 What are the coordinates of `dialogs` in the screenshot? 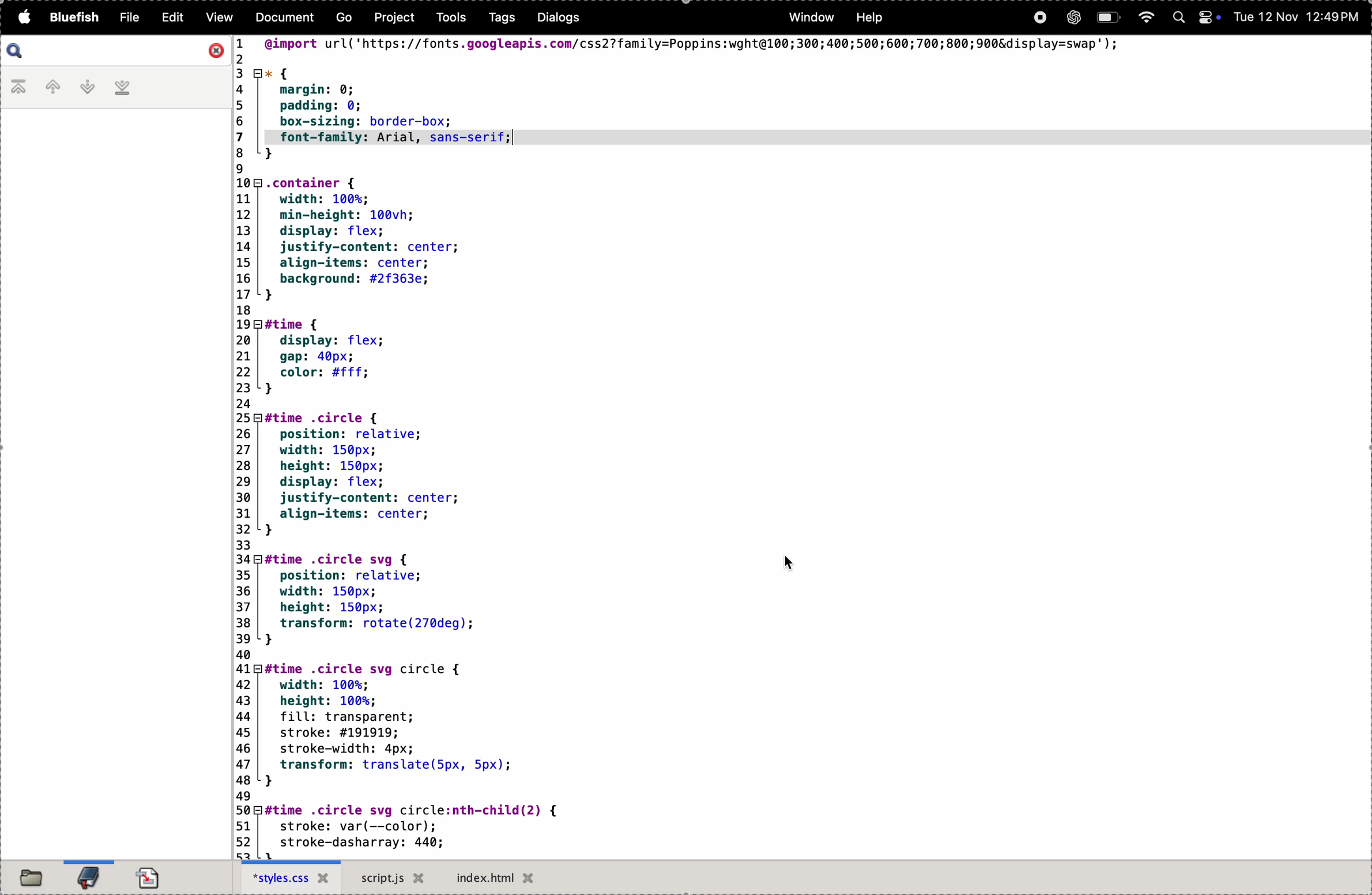 It's located at (556, 18).